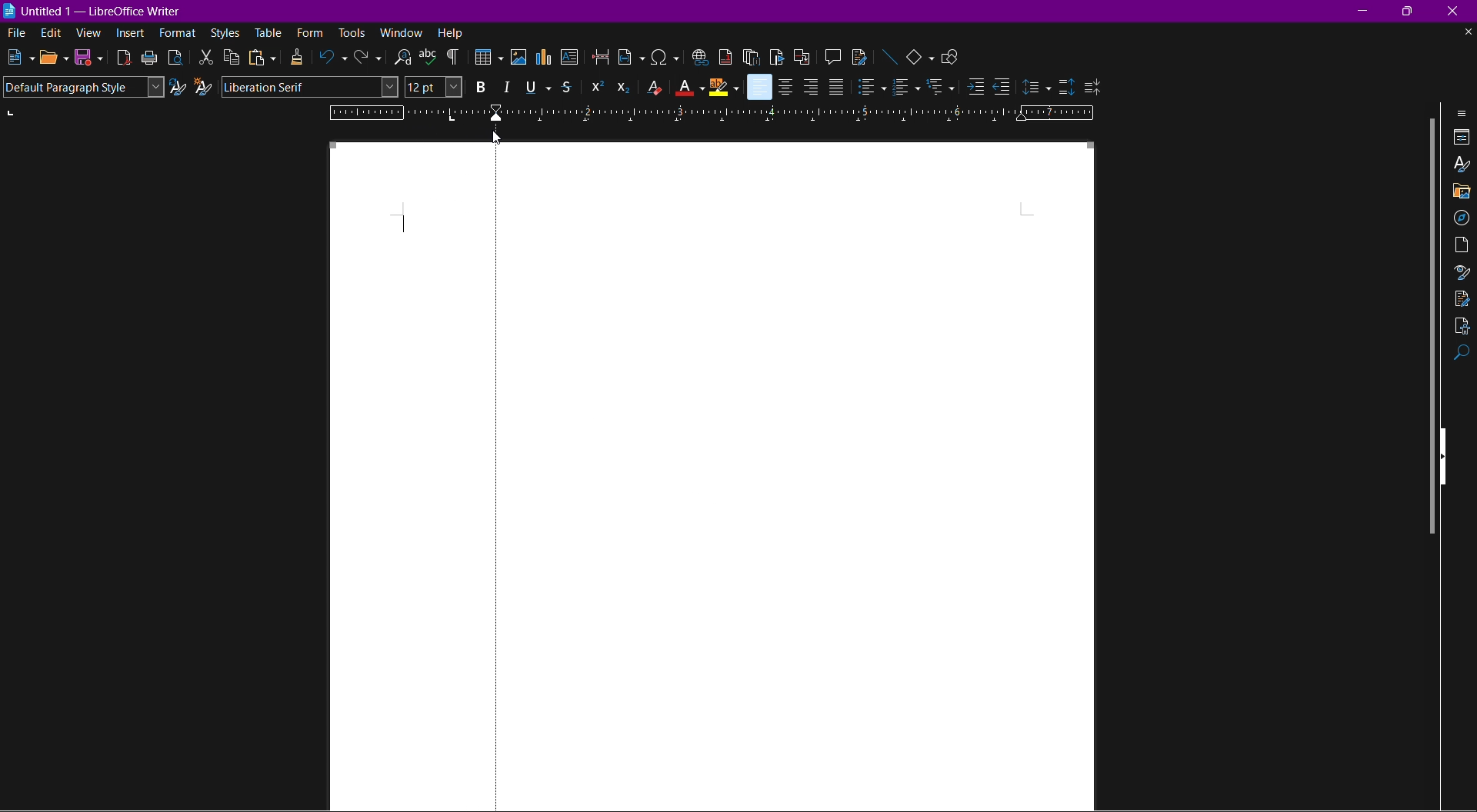 This screenshot has height=812, width=1477. Describe the element at coordinates (519, 58) in the screenshot. I see `Insert Image` at that location.